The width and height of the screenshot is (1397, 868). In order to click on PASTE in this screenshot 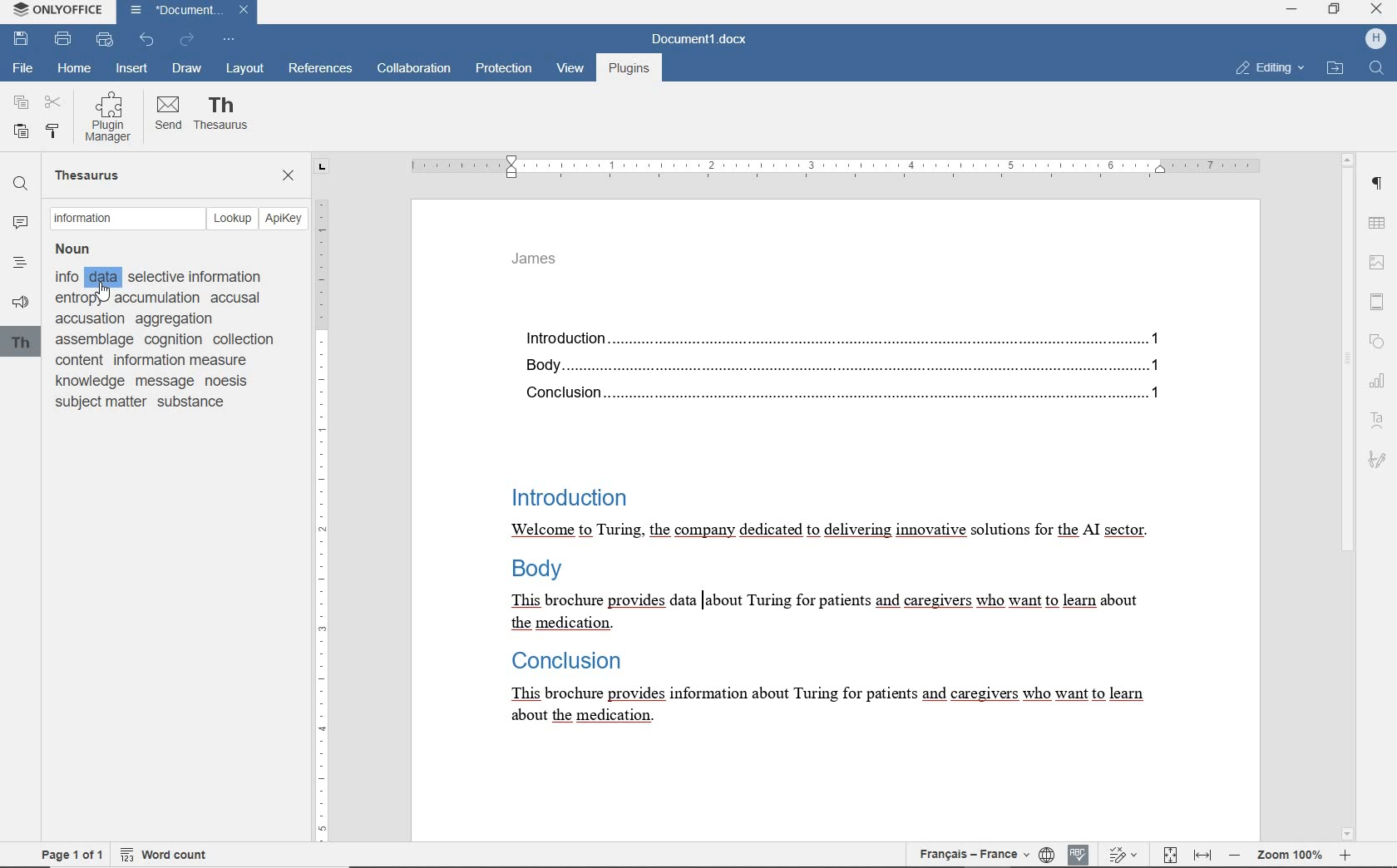, I will do `click(21, 132)`.